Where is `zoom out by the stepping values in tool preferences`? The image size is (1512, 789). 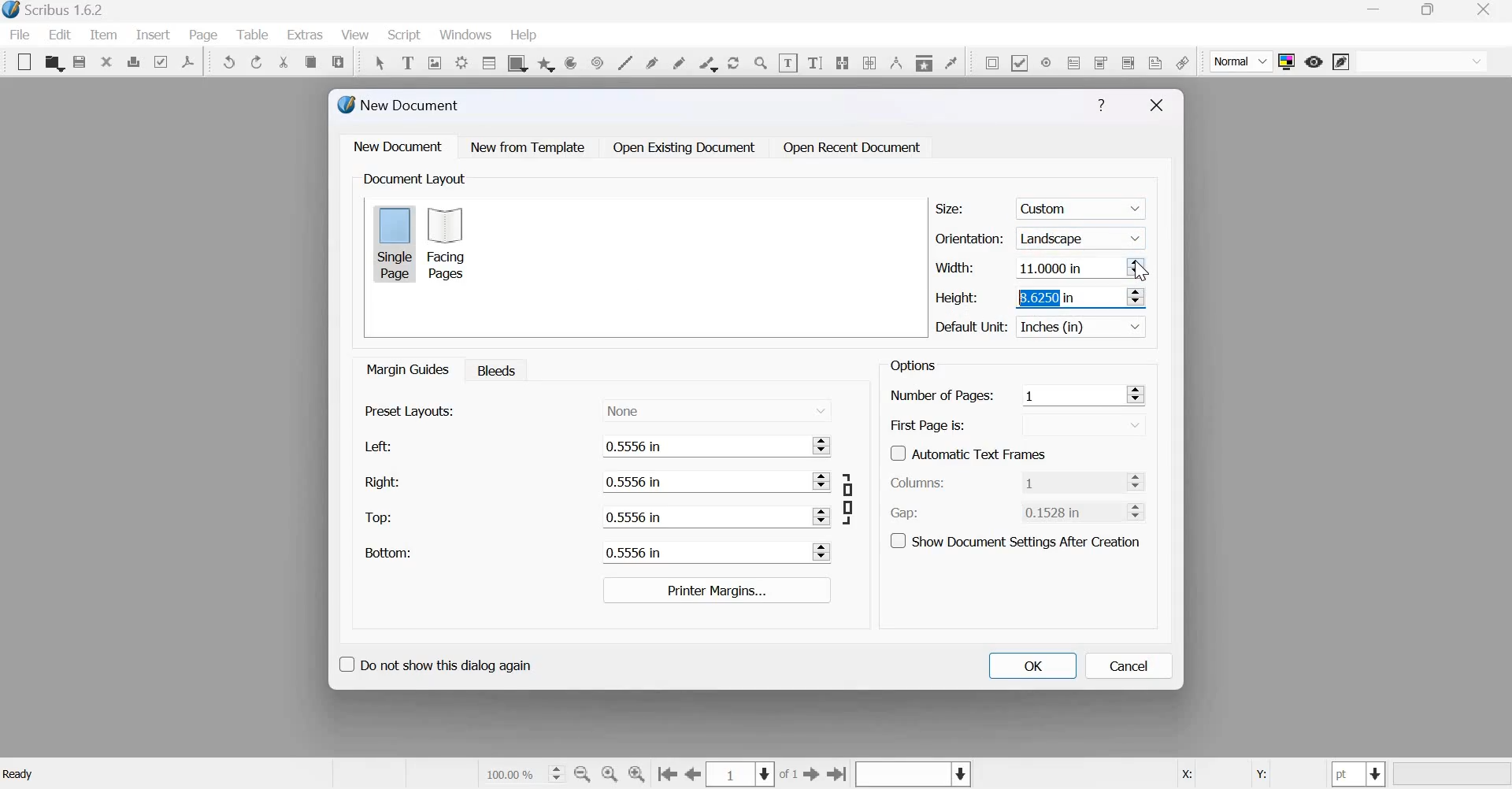
zoom out by the stepping values in tool preferences is located at coordinates (584, 774).